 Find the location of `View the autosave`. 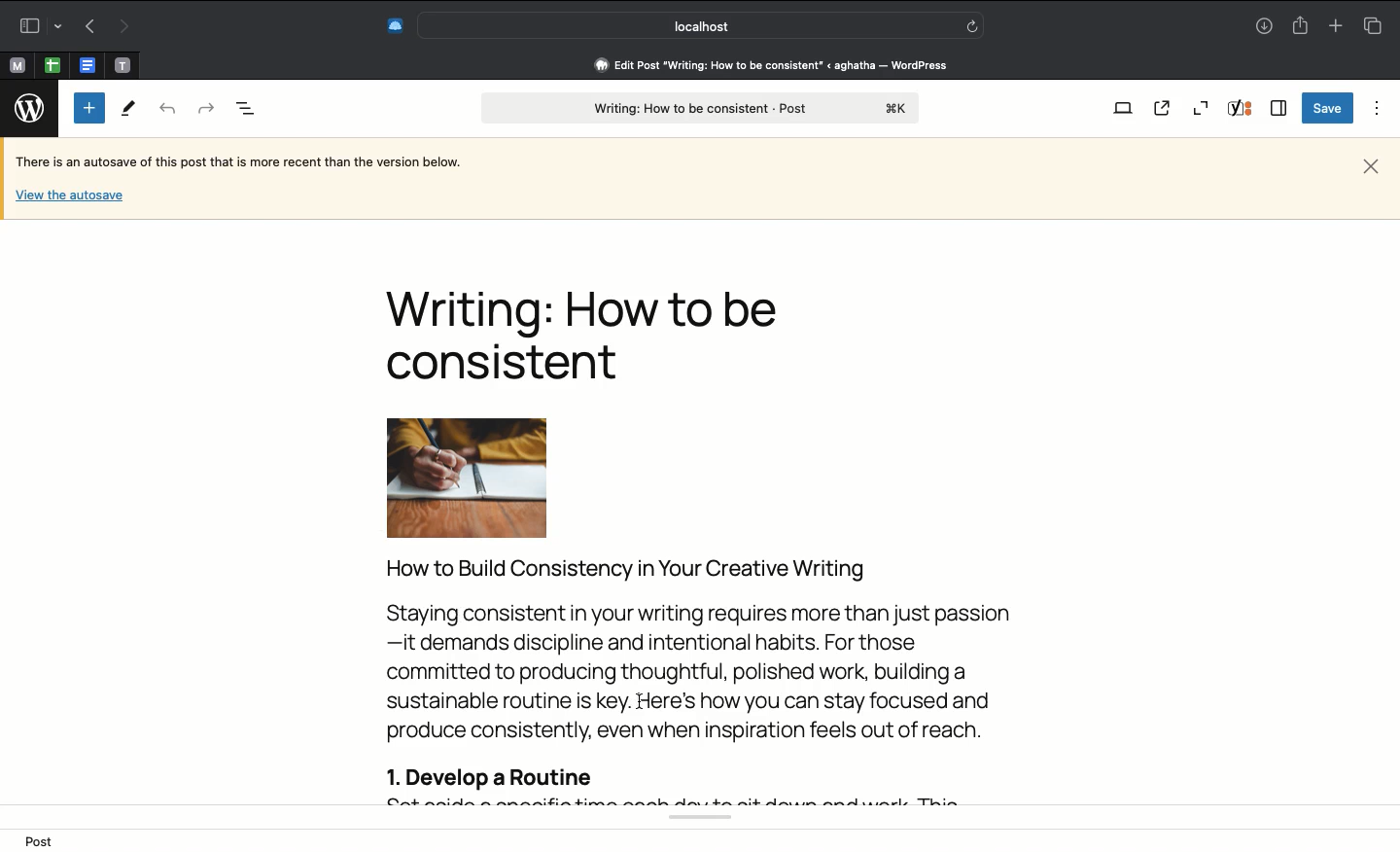

View the autosave is located at coordinates (69, 194).